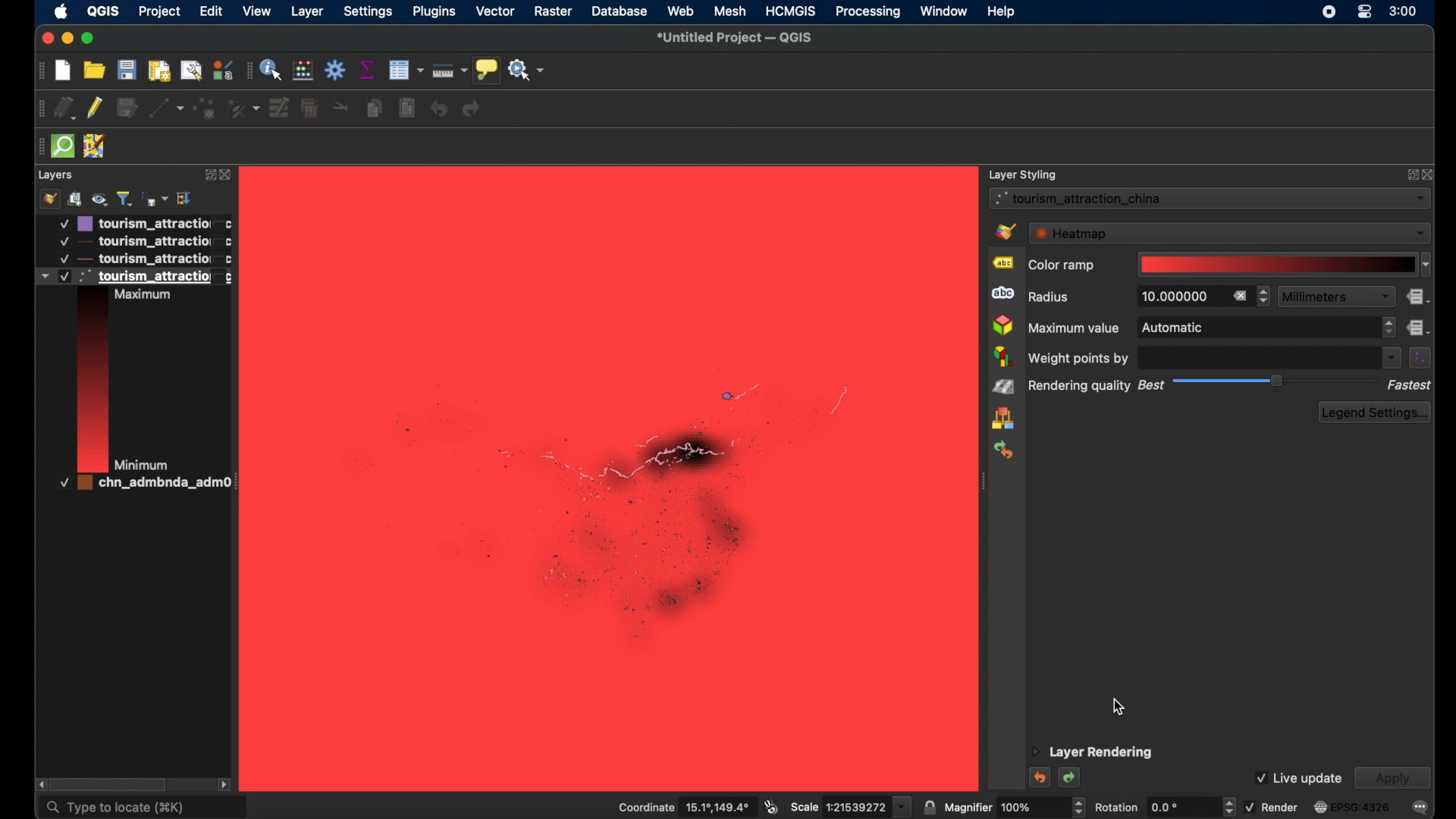  What do you see at coordinates (1285, 265) in the screenshot?
I see `color ramp` at bounding box center [1285, 265].